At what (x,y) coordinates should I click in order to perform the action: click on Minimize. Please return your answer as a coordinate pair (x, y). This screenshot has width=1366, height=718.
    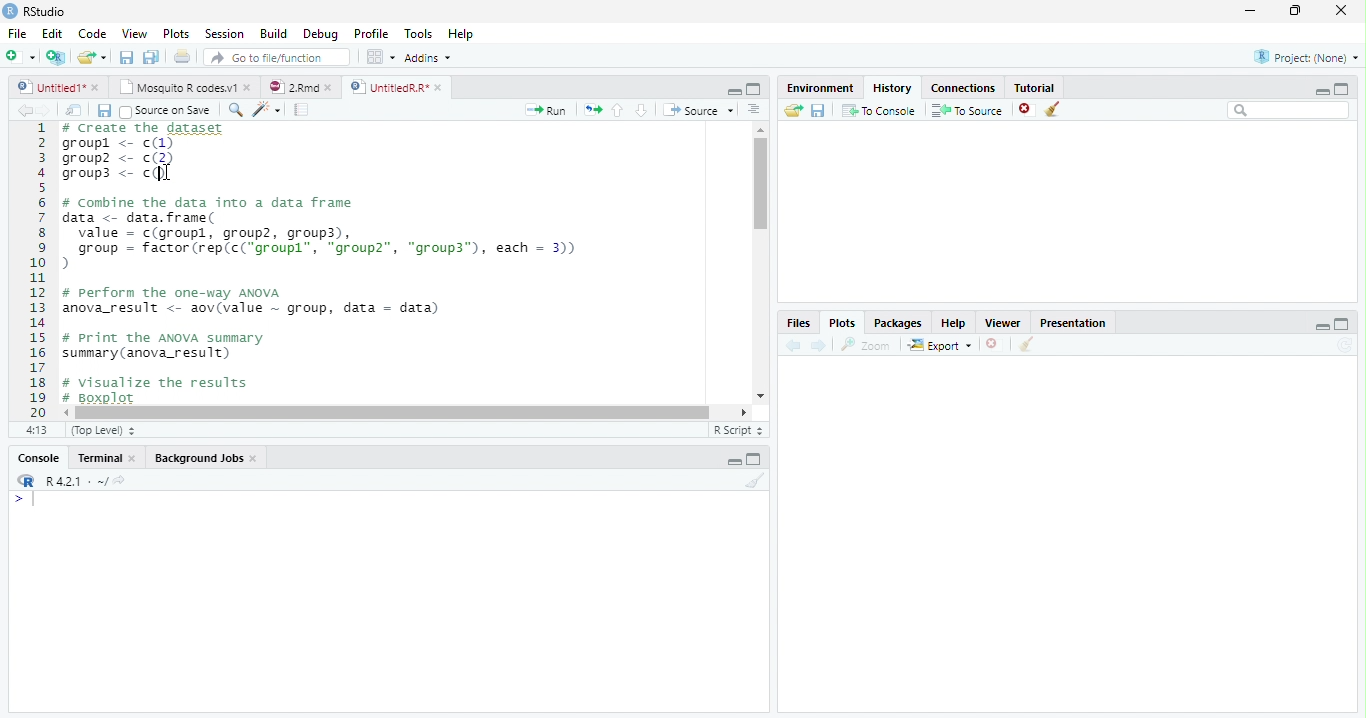
    Looking at the image, I should click on (1322, 328).